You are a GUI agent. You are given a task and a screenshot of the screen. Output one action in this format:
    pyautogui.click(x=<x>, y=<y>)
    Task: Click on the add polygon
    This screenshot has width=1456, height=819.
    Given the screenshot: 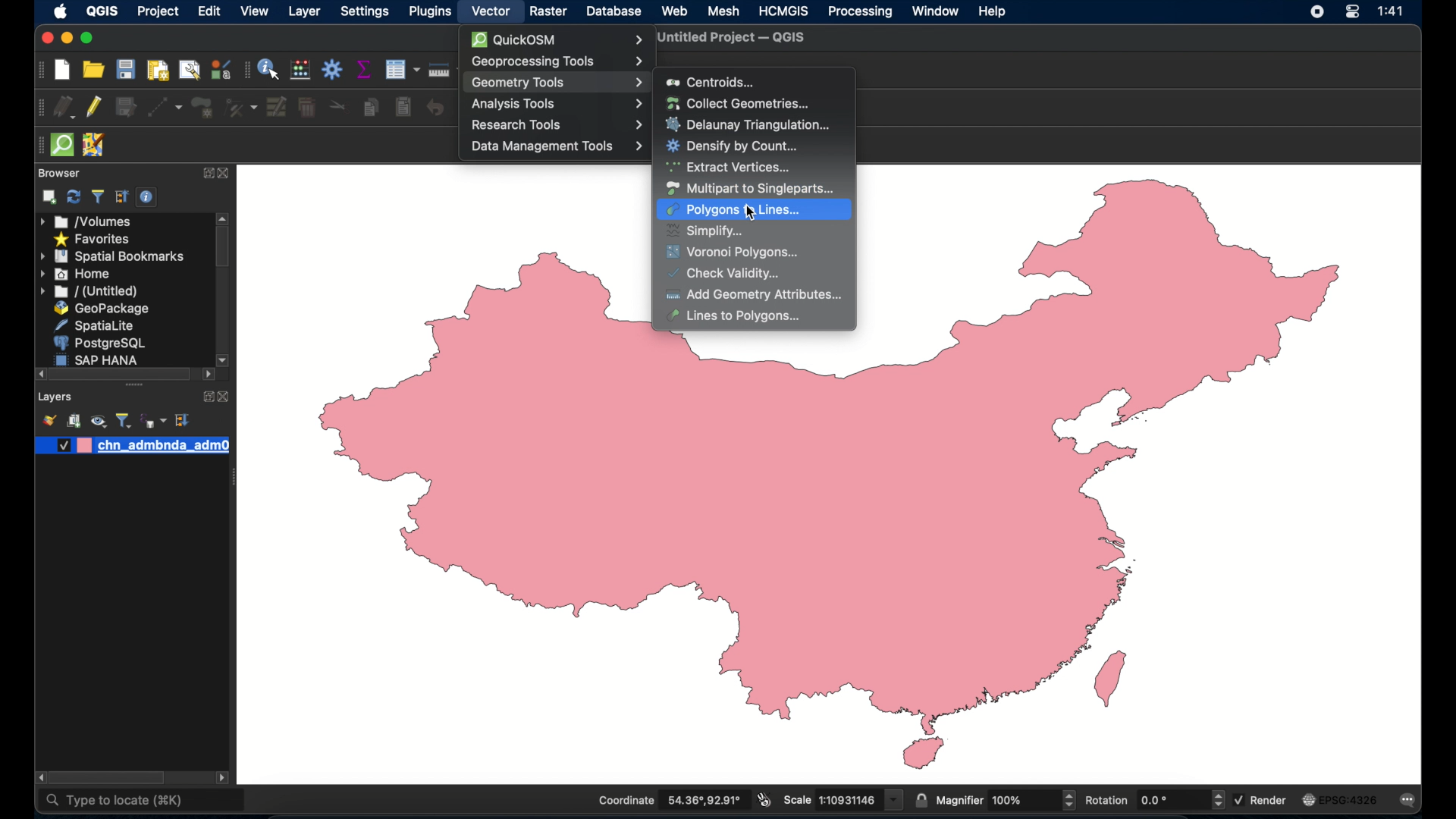 What is the action you would take?
    pyautogui.click(x=202, y=108)
    